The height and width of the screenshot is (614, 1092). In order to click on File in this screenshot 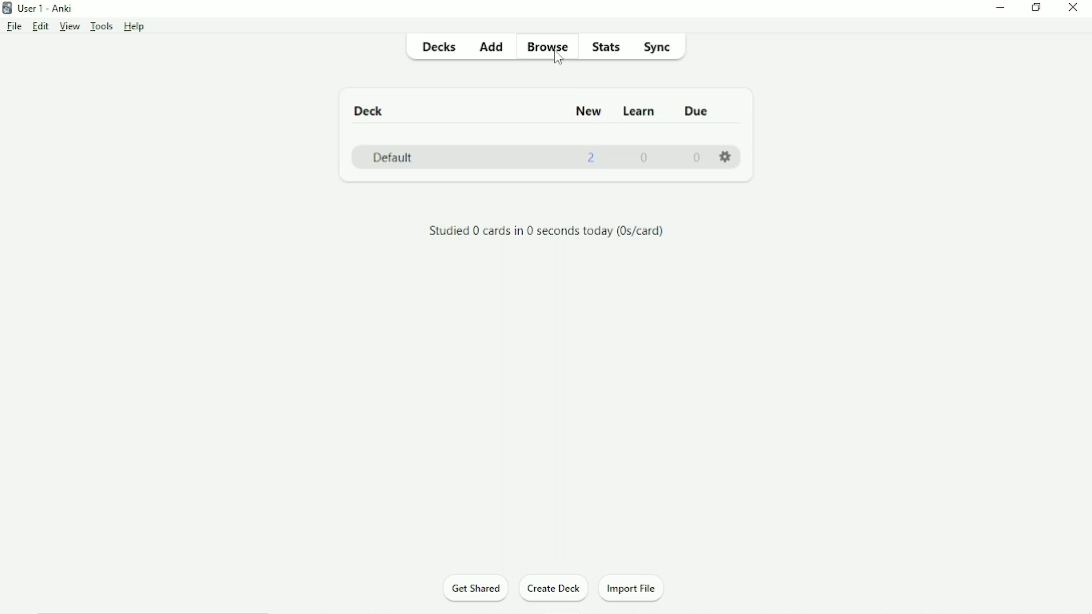, I will do `click(15, 27)`.